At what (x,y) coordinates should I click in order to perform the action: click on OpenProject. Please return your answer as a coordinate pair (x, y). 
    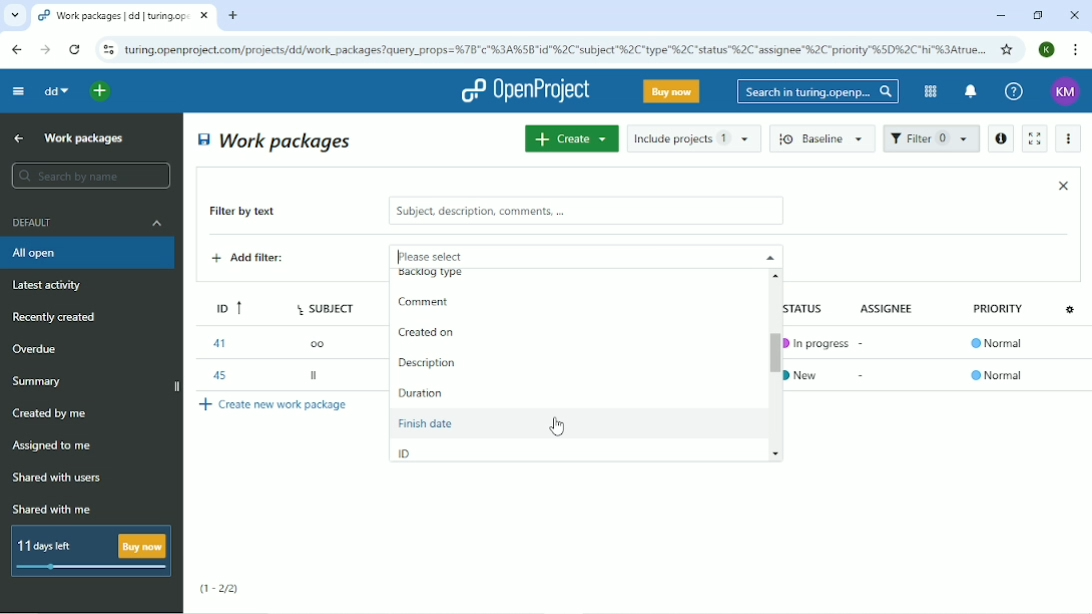
    Looking at the image, I should click on (525, 91).